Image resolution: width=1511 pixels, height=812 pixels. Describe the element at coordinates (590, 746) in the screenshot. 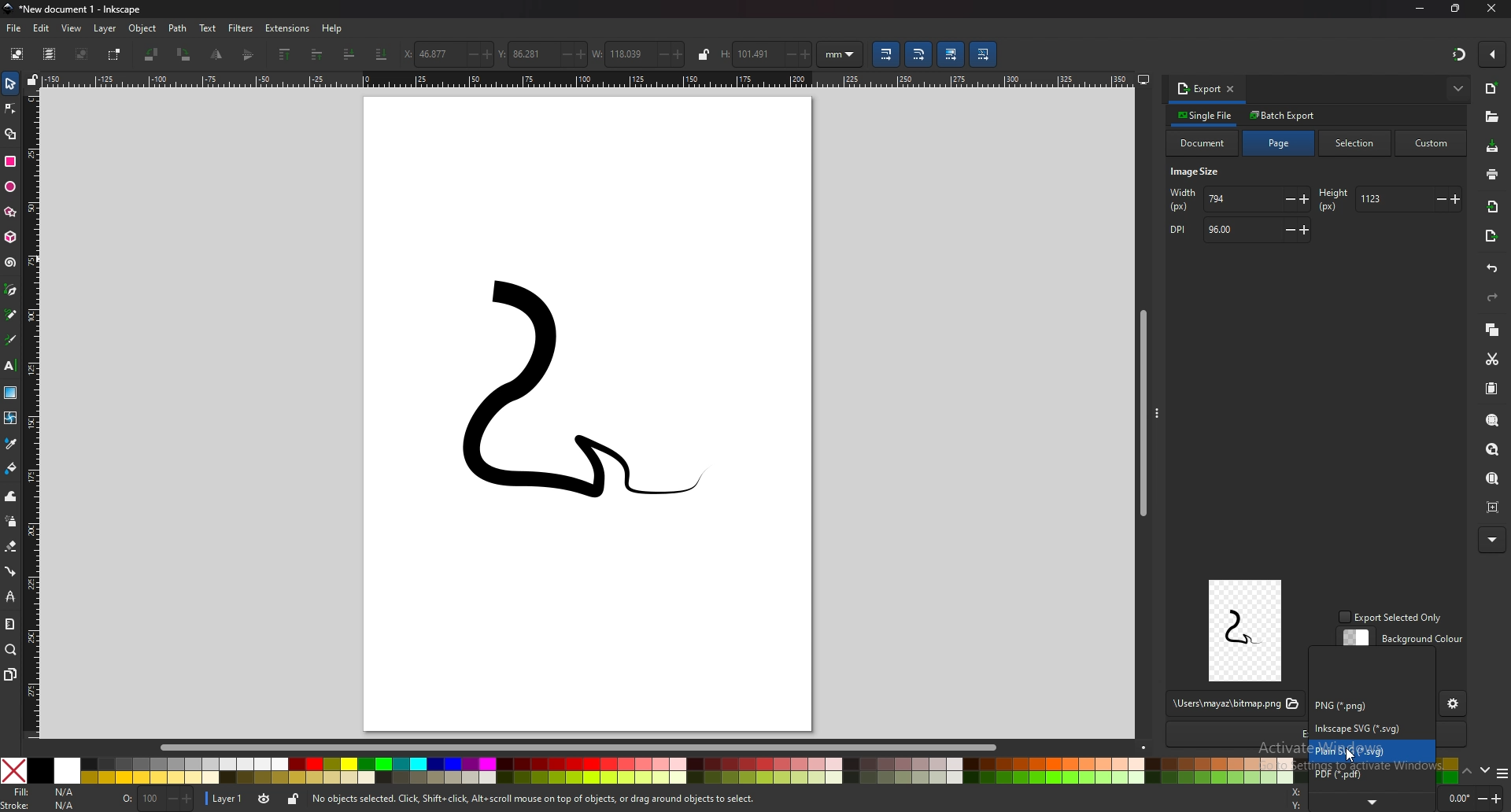

I see `scroll bar` at that location.